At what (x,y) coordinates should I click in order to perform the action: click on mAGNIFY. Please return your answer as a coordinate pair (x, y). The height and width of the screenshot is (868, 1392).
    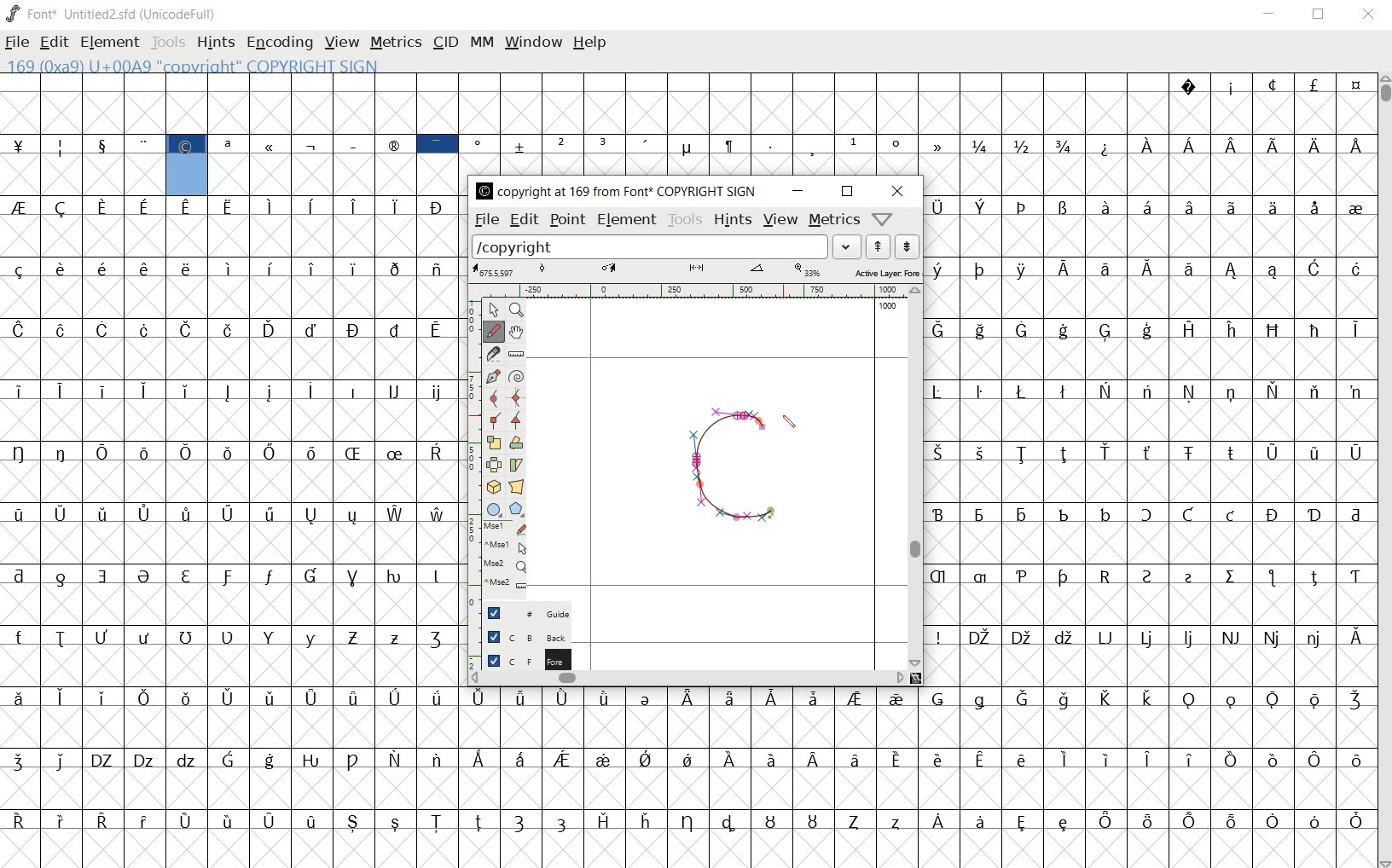
    Looking at the image, I should click on (516, 310).